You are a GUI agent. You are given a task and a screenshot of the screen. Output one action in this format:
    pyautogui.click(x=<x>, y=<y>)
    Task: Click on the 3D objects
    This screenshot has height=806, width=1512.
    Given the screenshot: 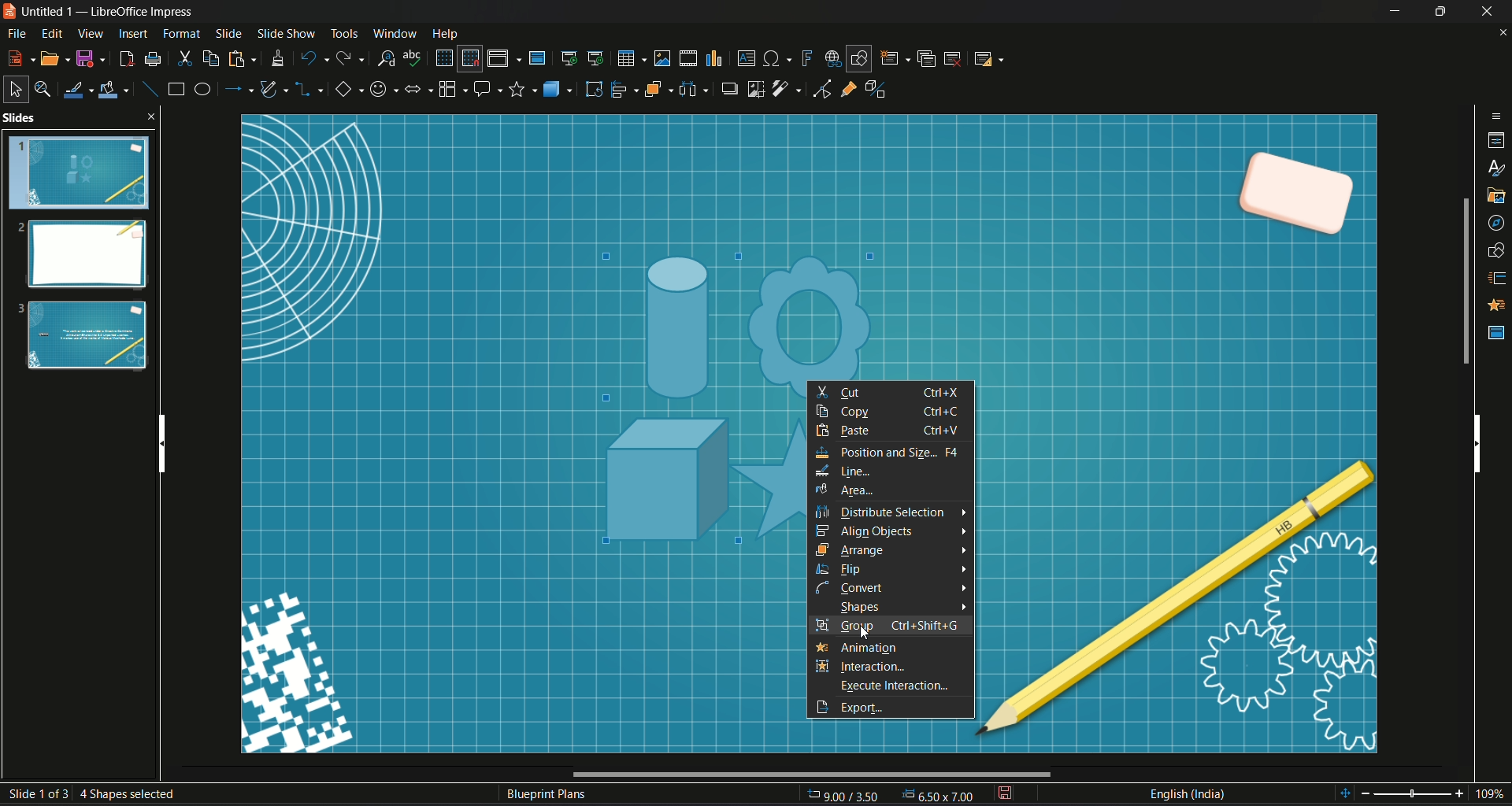 What is the action you would take?
    pyautogui.click(x=559, y=88)
    